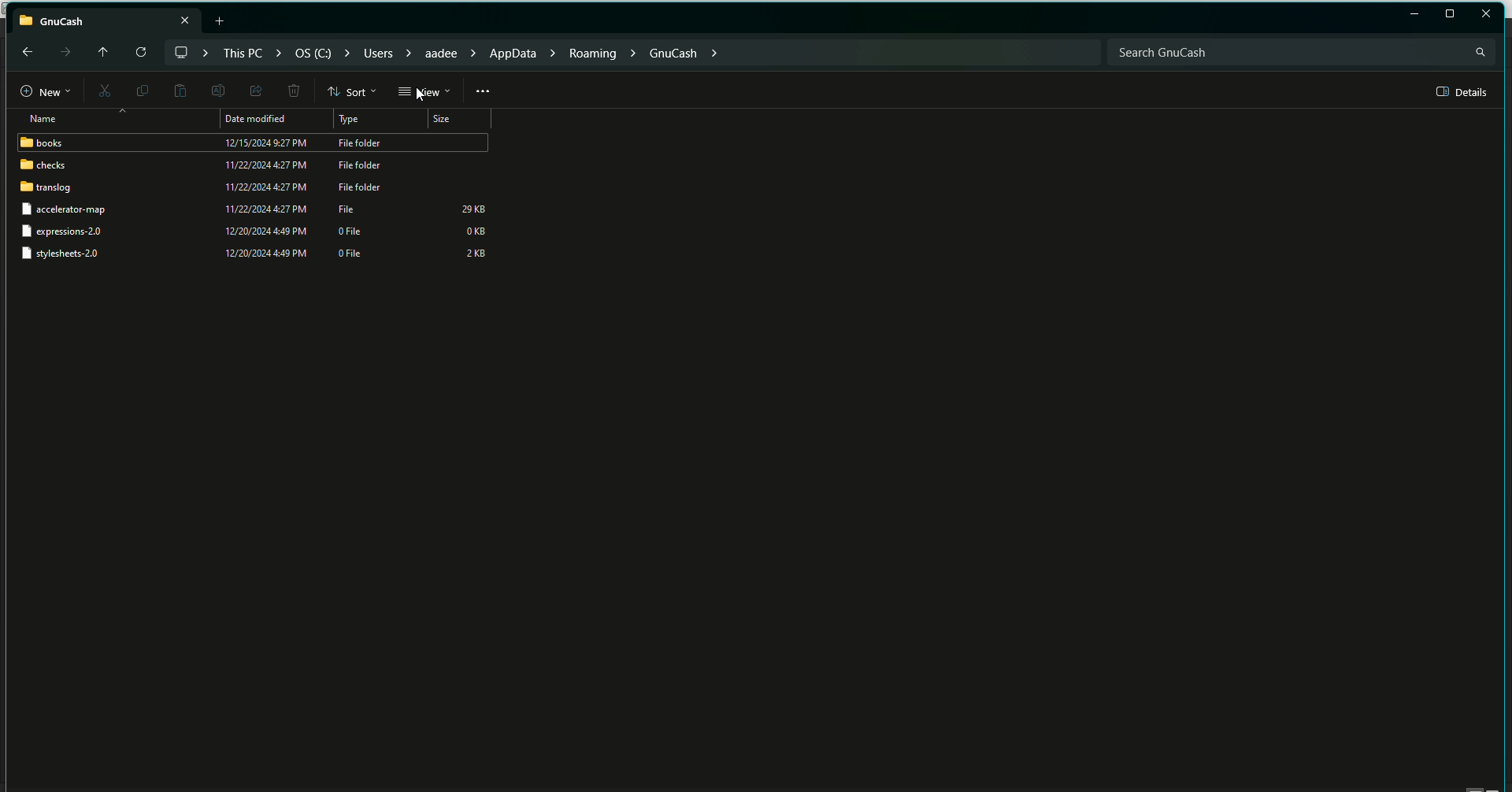 The height and width of the screenshot is (792, 1512). What do you see at coordinates (365, 166) in the screenshot?
I see `File folder` at bounding box center [365, 166].